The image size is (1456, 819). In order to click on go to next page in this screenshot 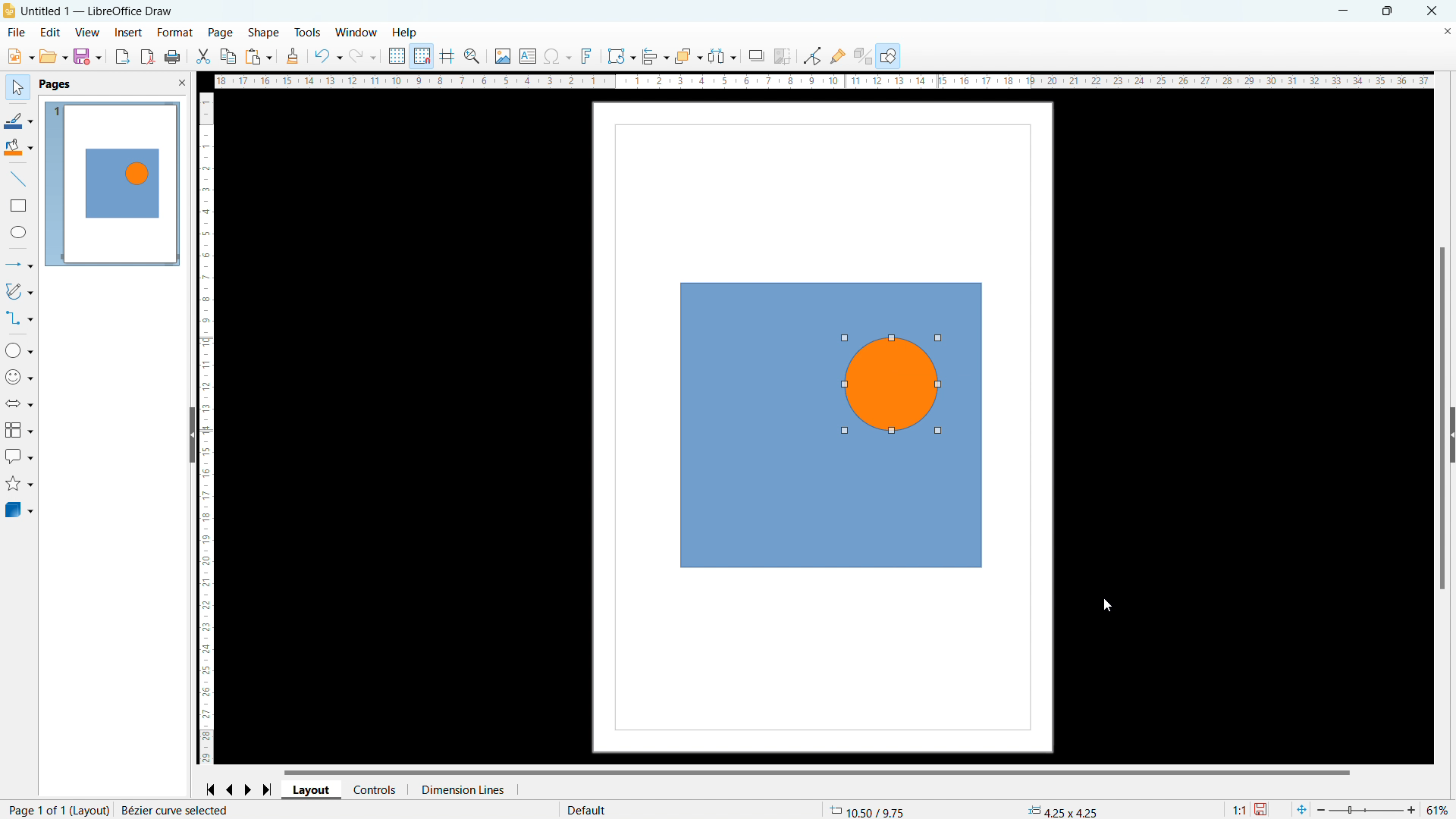, I will do `click(248, 789)`.